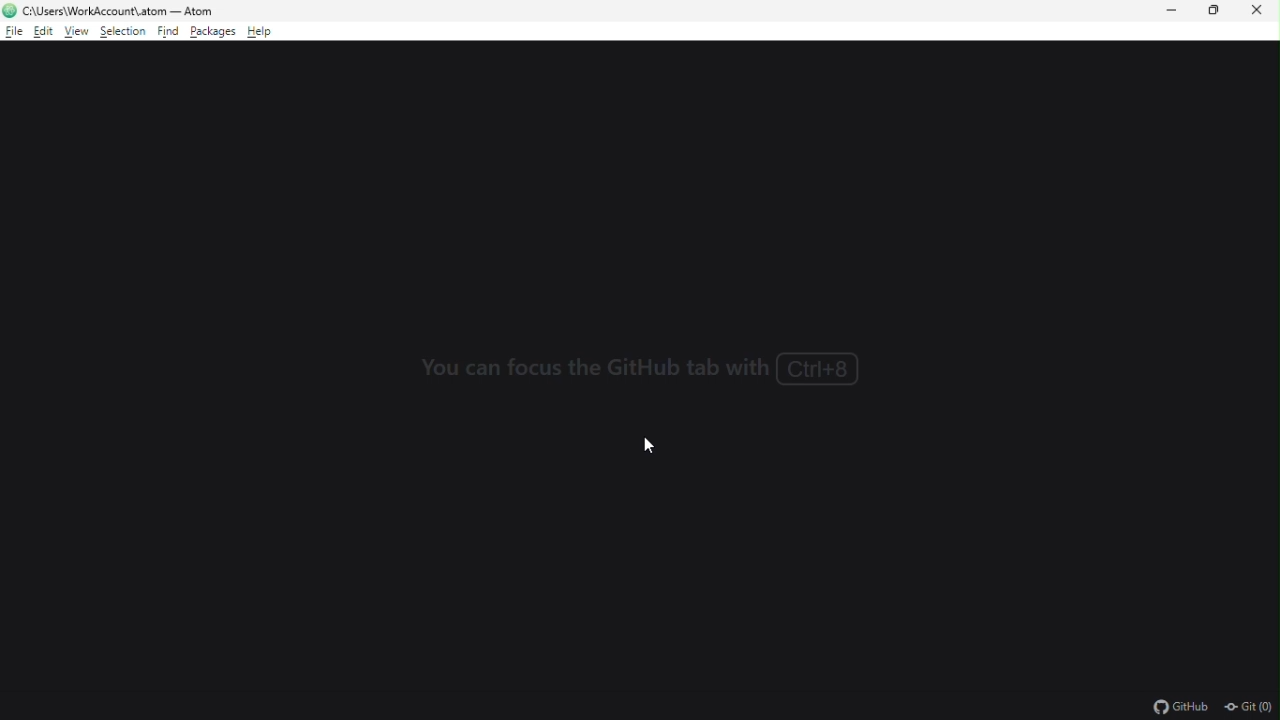  I want to click on minimize, so click(1171, 10).